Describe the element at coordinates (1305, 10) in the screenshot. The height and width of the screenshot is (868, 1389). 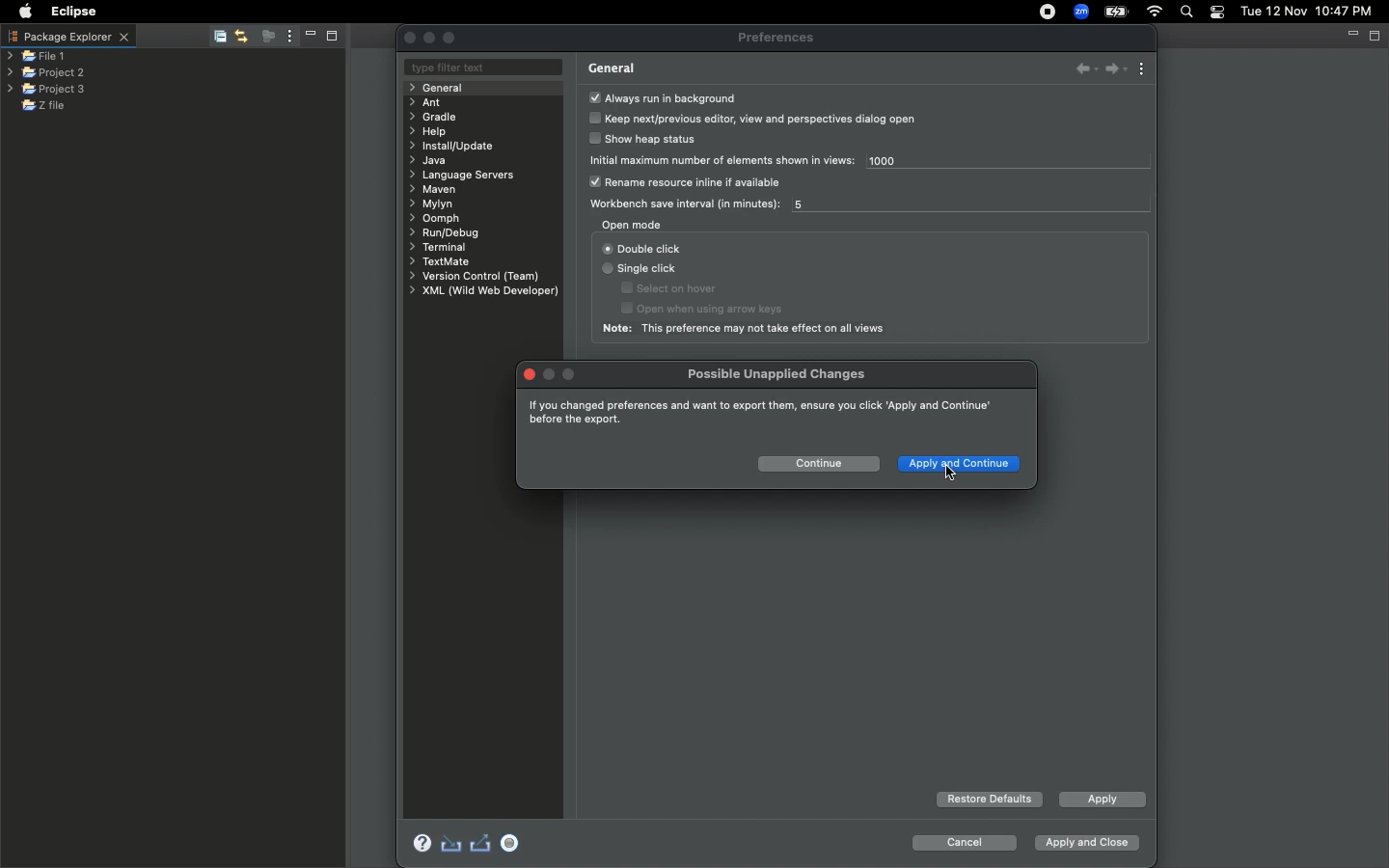
I see `tue 12 nov 10:47 pm ` at that location.